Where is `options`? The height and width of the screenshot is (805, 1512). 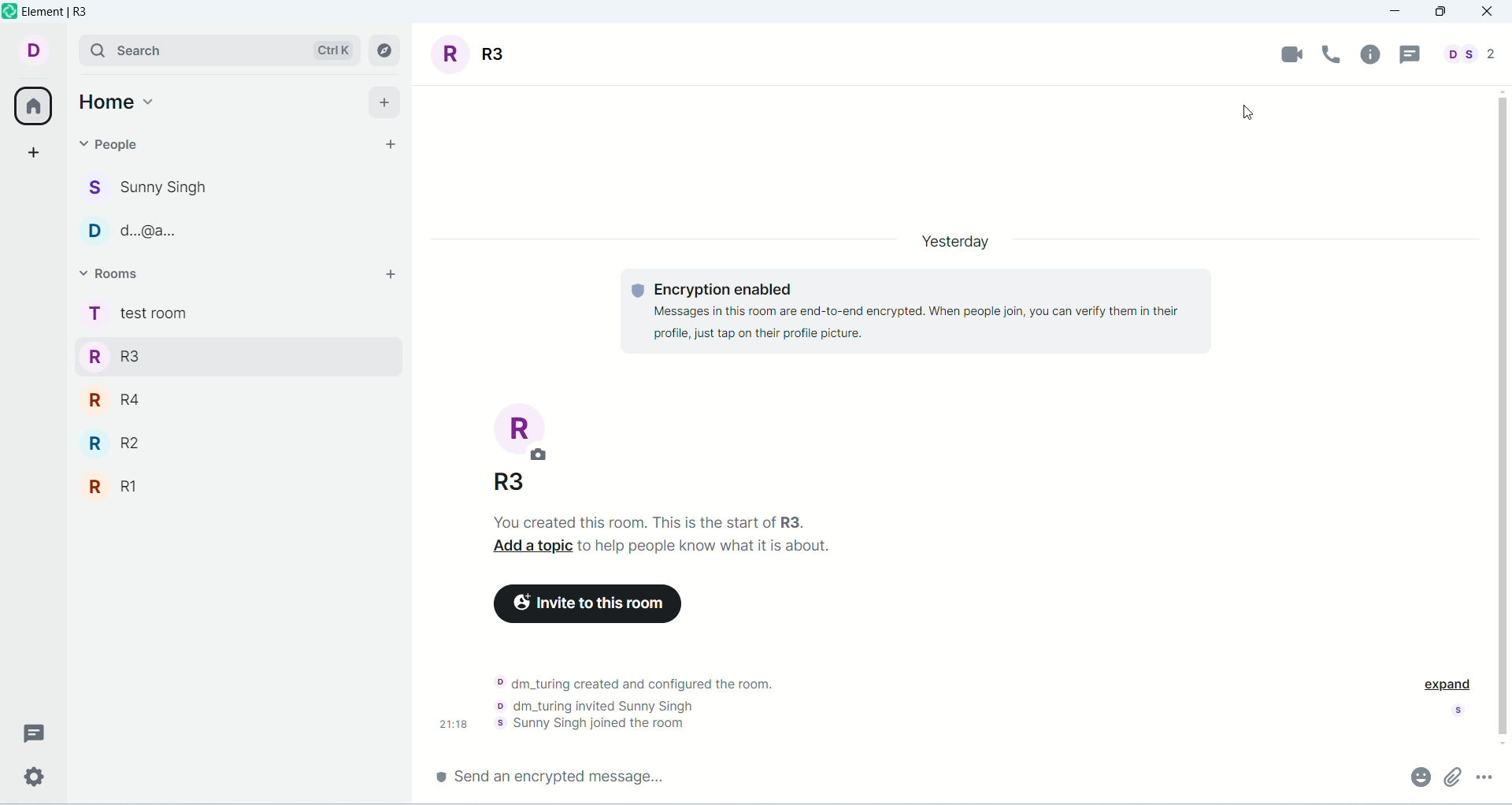
options is located at coordinates (1483, 775).